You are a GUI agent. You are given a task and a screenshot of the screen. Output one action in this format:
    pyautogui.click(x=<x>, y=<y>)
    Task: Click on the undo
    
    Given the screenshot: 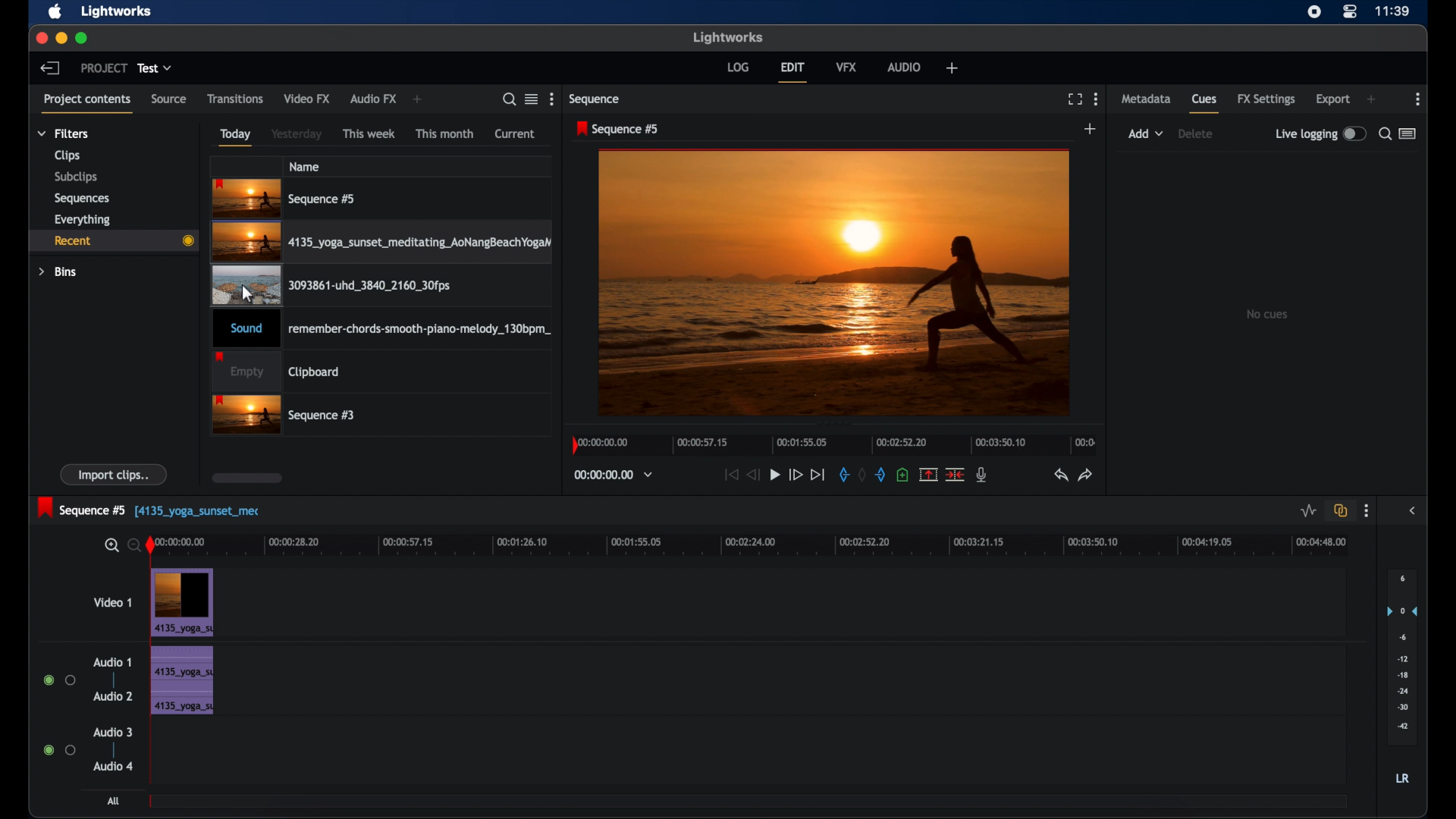 What is the action you would take?
    pyautogui.click(x=1059, y=475)
    